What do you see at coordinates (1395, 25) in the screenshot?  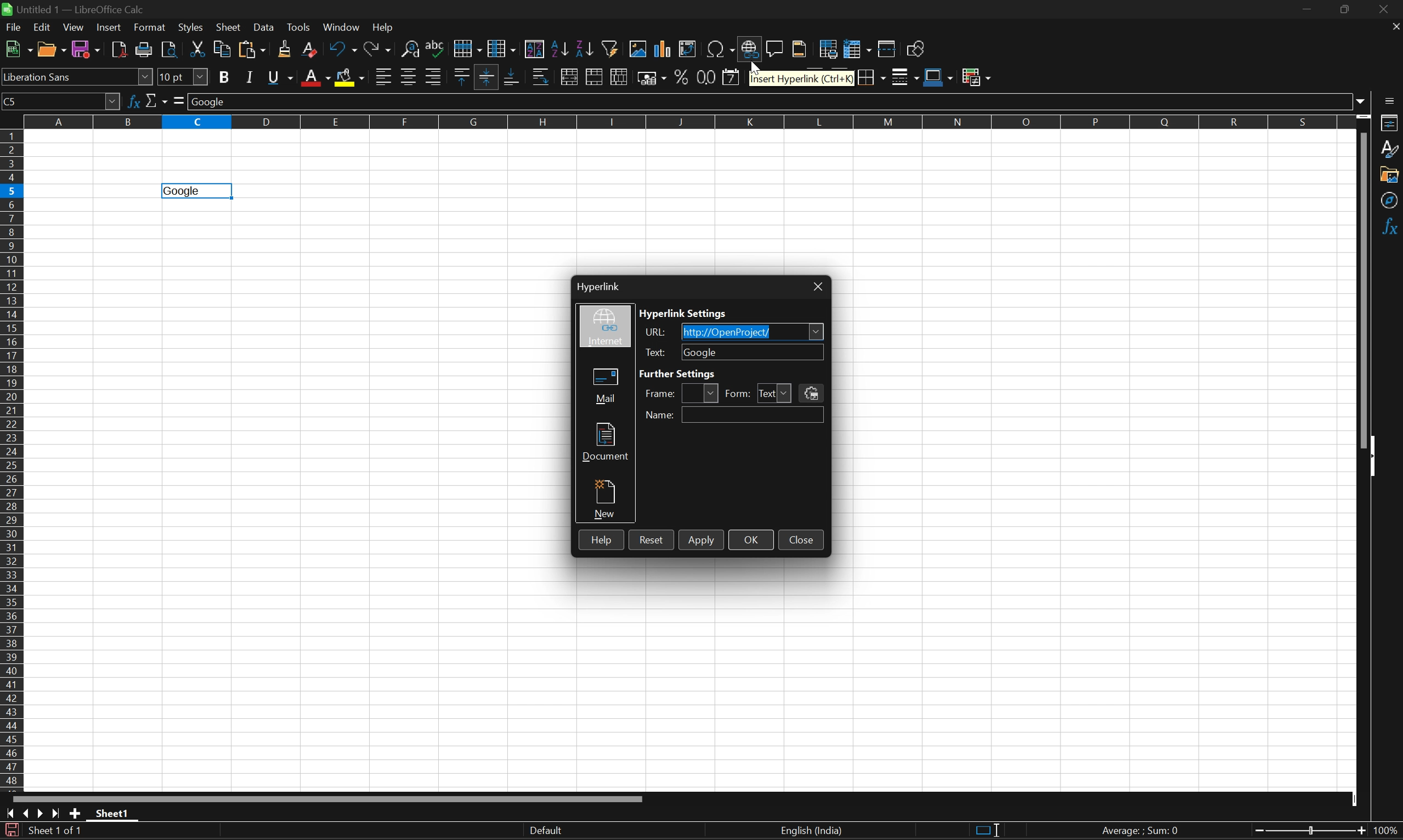 I see `Close document` at bounding box center [1395, 25].